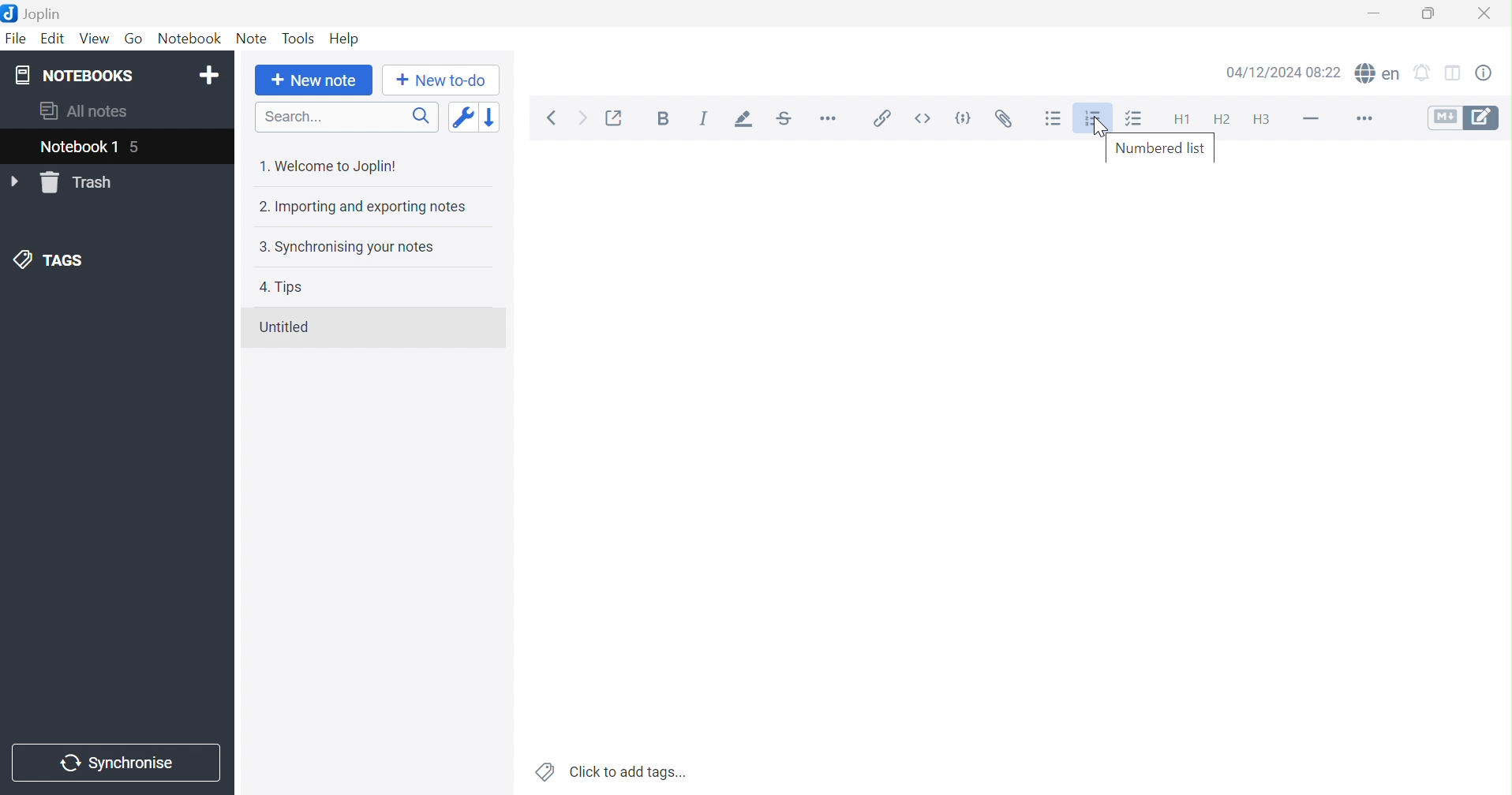 Image resolution: width=1512 pixels, height=795 pixels. I want to click on Synchronise, so click(116, 763).